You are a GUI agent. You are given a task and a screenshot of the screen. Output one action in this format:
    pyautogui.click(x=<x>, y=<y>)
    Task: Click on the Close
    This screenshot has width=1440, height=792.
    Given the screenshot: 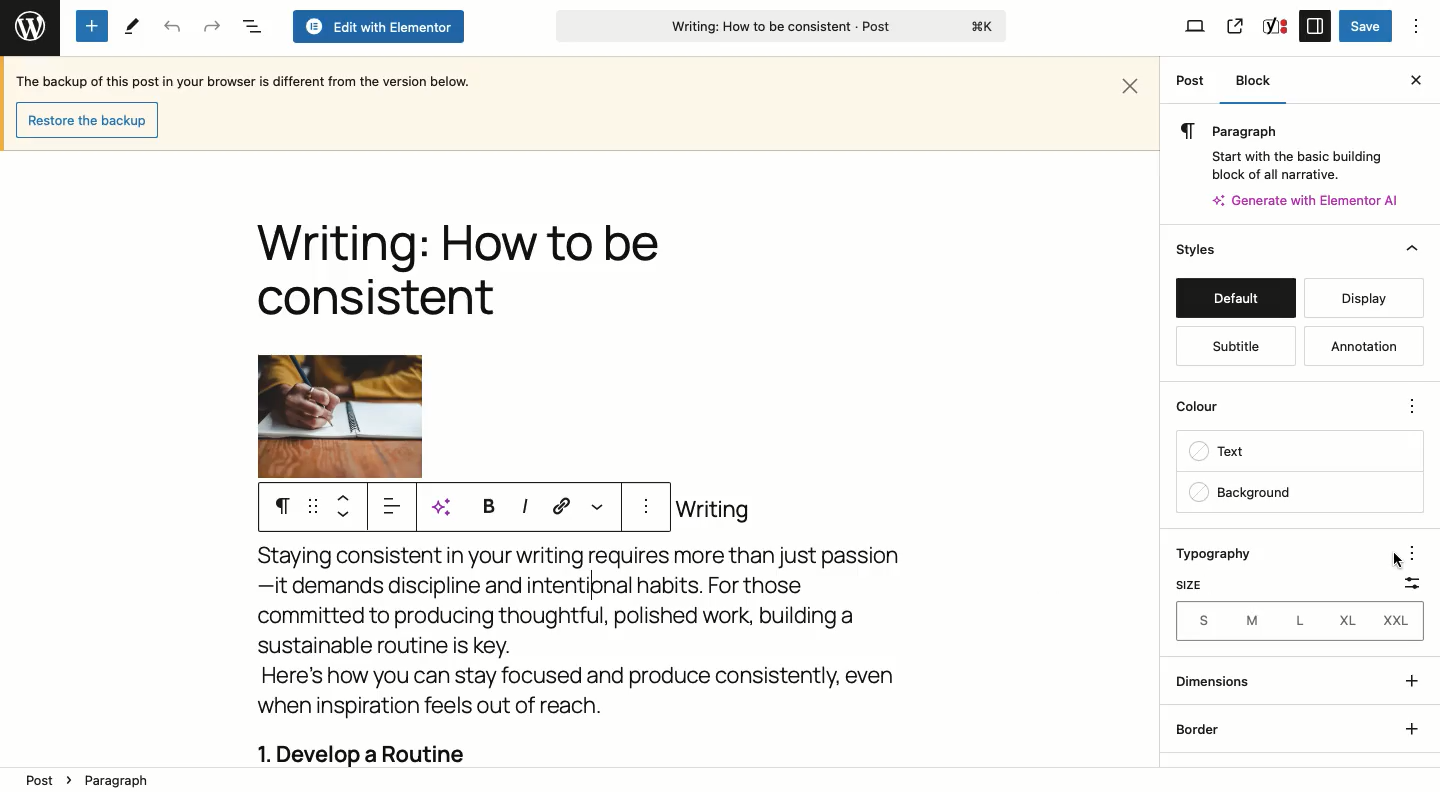 What is the action you would take?
    pyautogui.click(x=1412, y=80)
    